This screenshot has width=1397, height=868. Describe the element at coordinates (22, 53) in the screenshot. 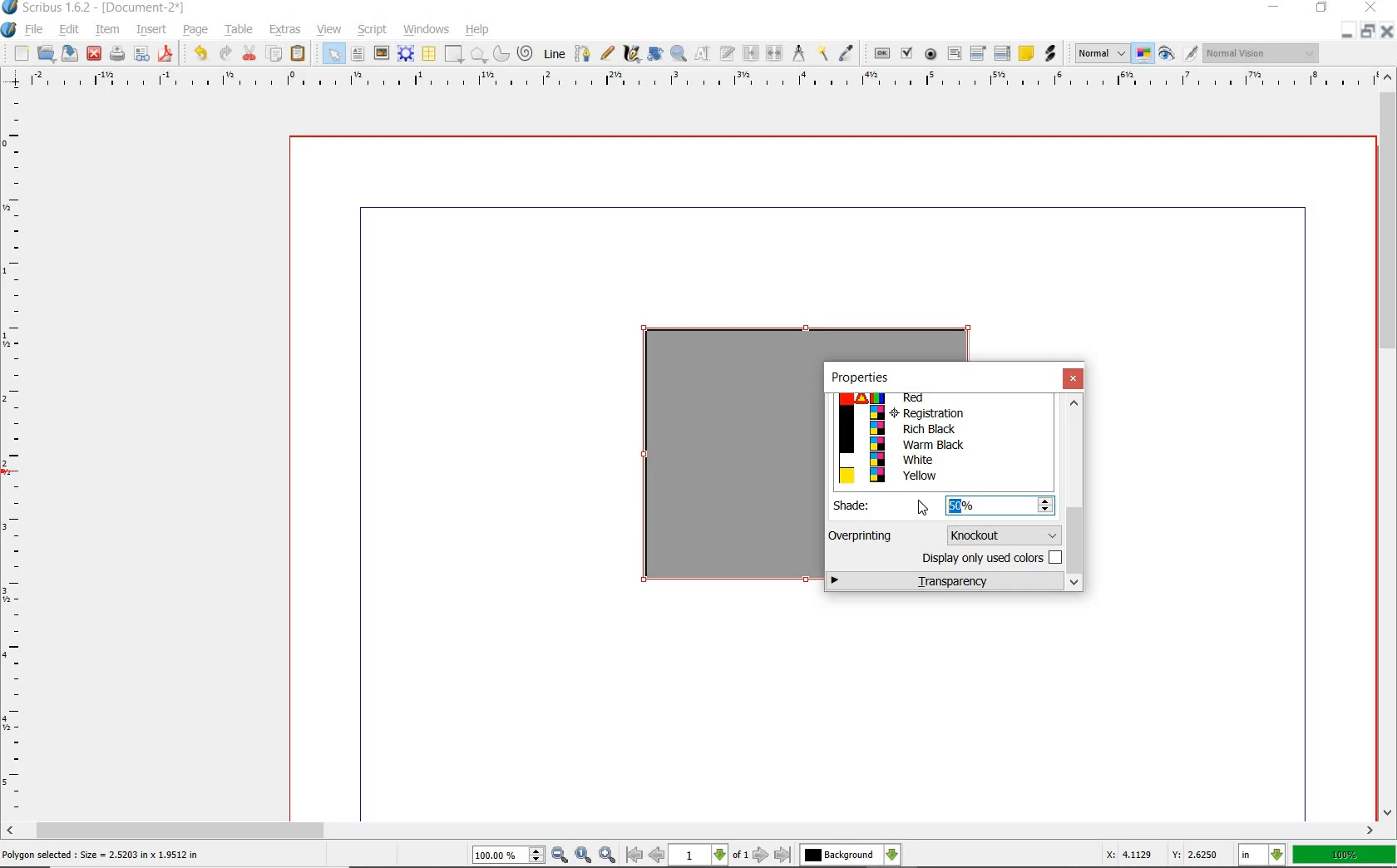

I see `new` at that location.